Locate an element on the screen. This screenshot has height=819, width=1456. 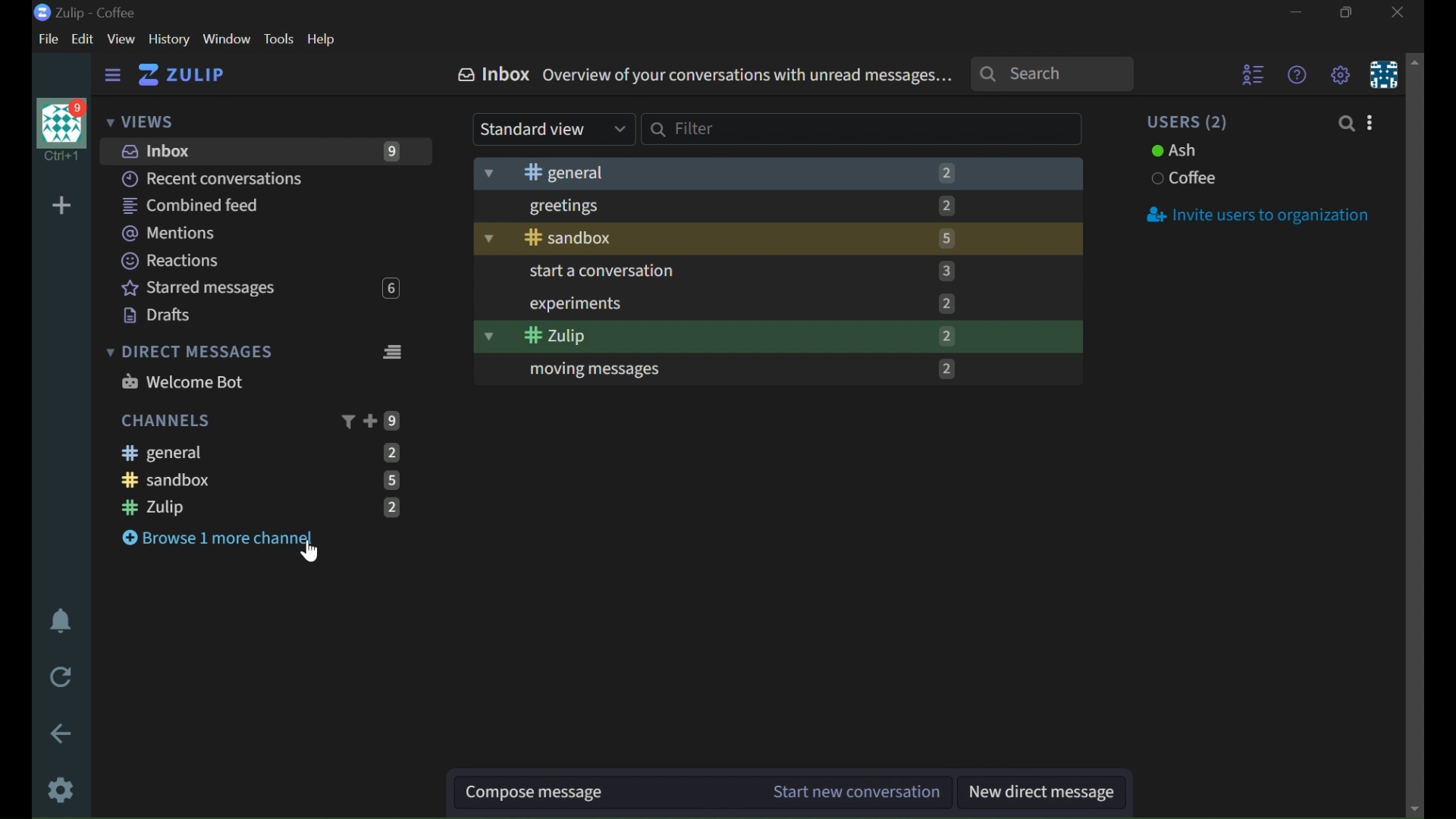
SETTINGS is located at coordinates (62, 789).